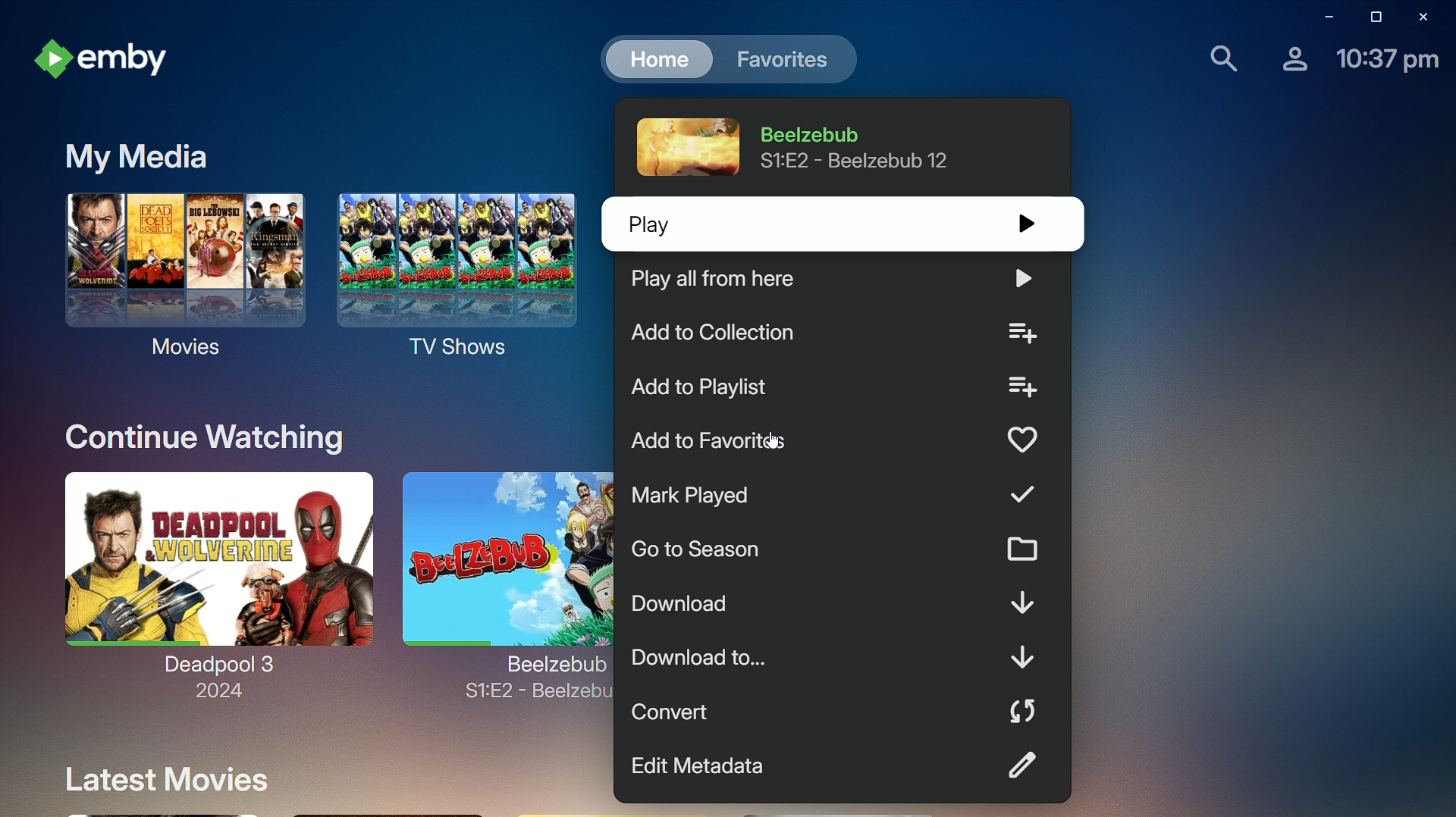 Image resolution: width=1456 pixels, height=817 pixels. I want to click on Go to Season, so click(839, 550).